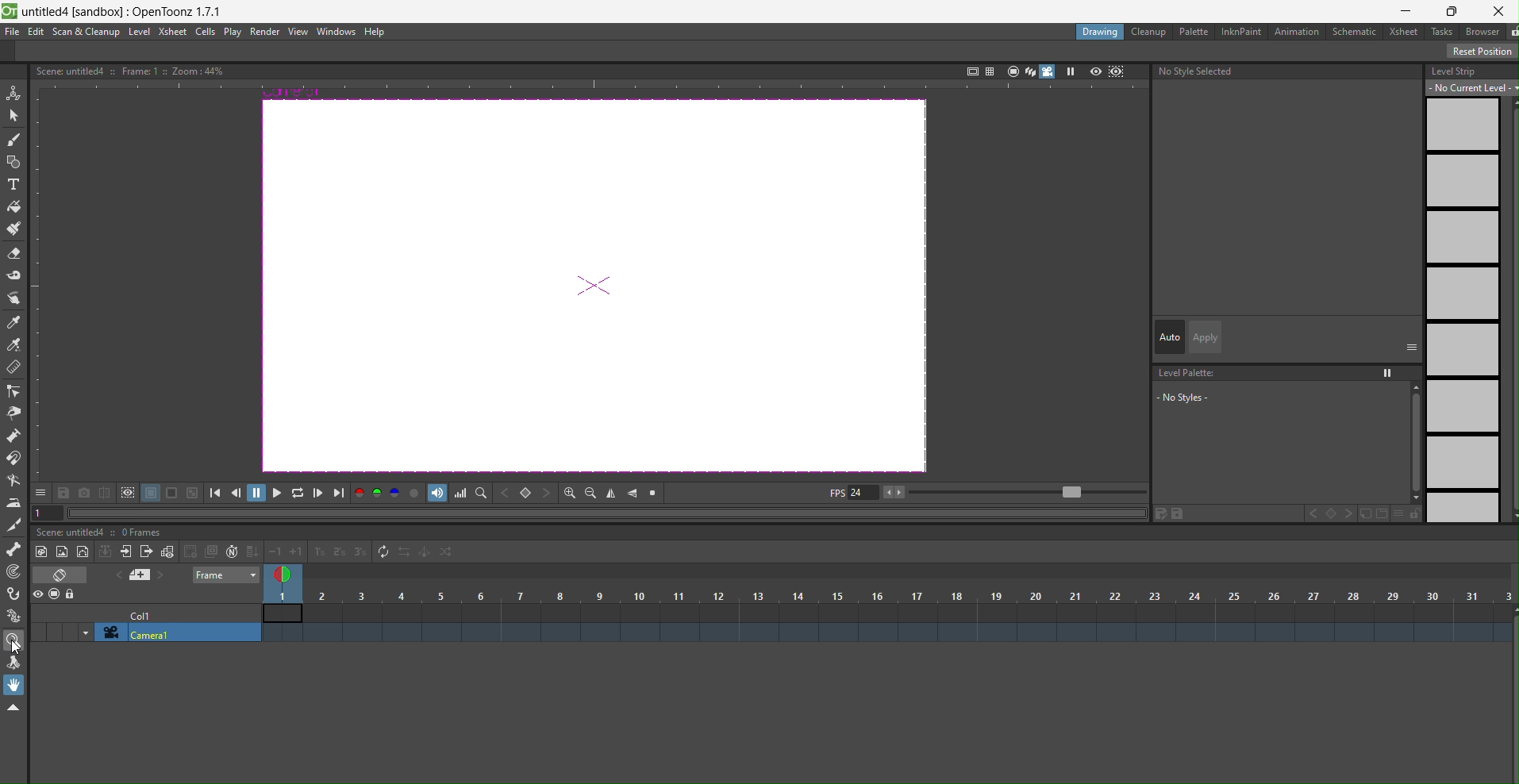 The image size is (1519, 784). I want to click on icon, so click(105, 553).